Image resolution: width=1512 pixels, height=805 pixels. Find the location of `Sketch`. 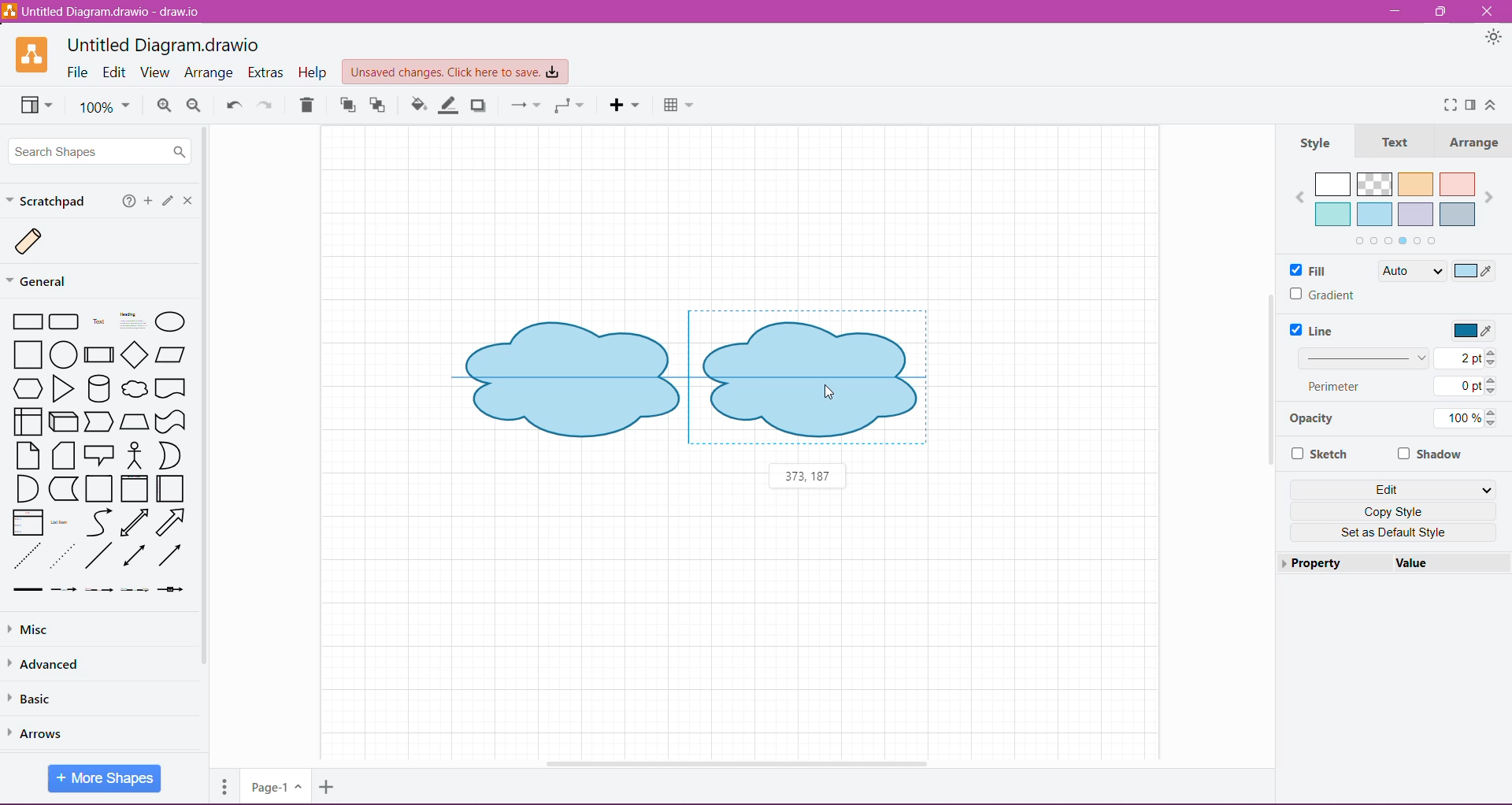

Sketch is located at coordinates (1321, 454).